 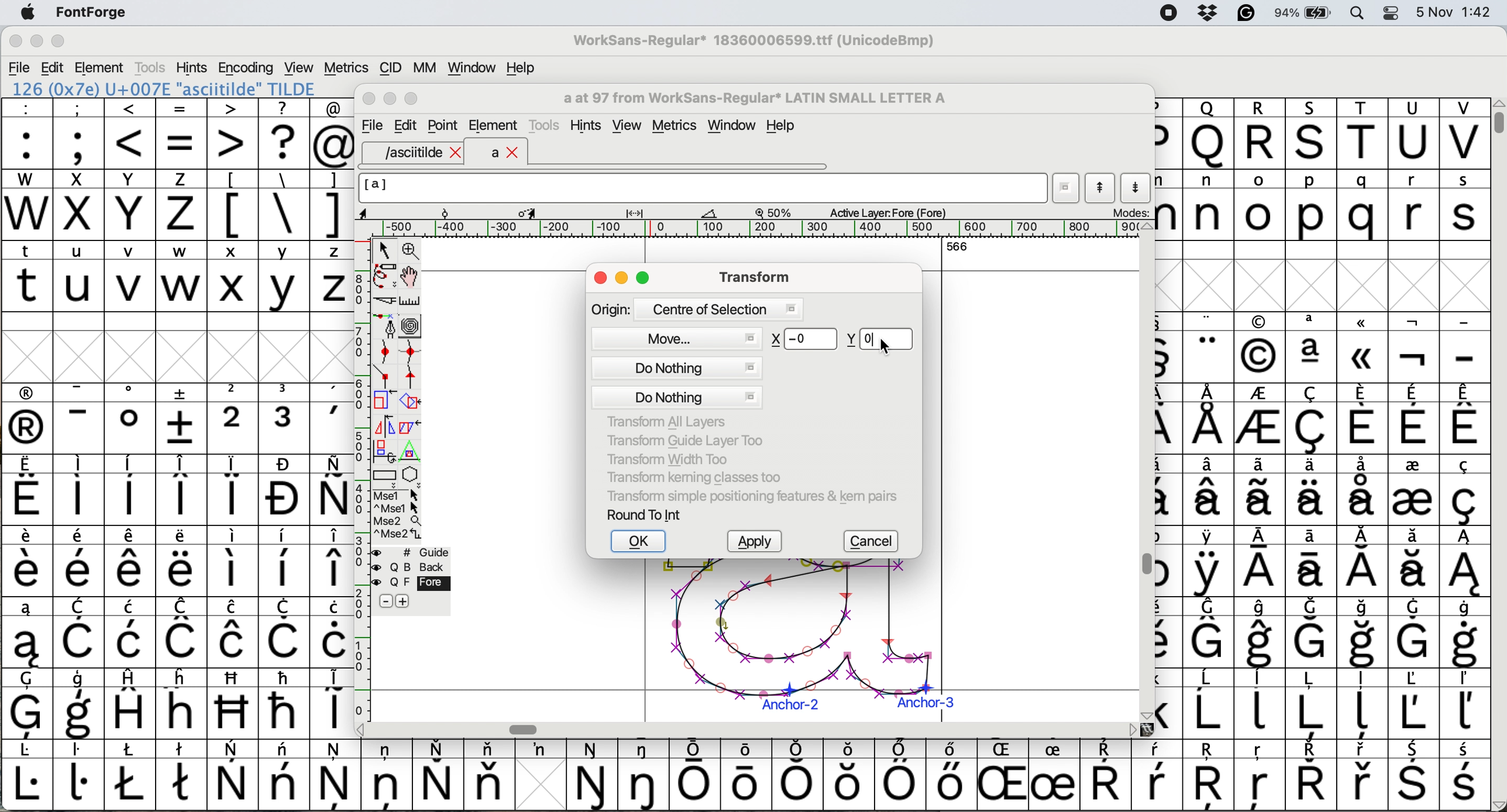 What do you see at coordinates (1204, 13) in the screenshot?
I see `dropbox` at bounding box center [1204, 13].